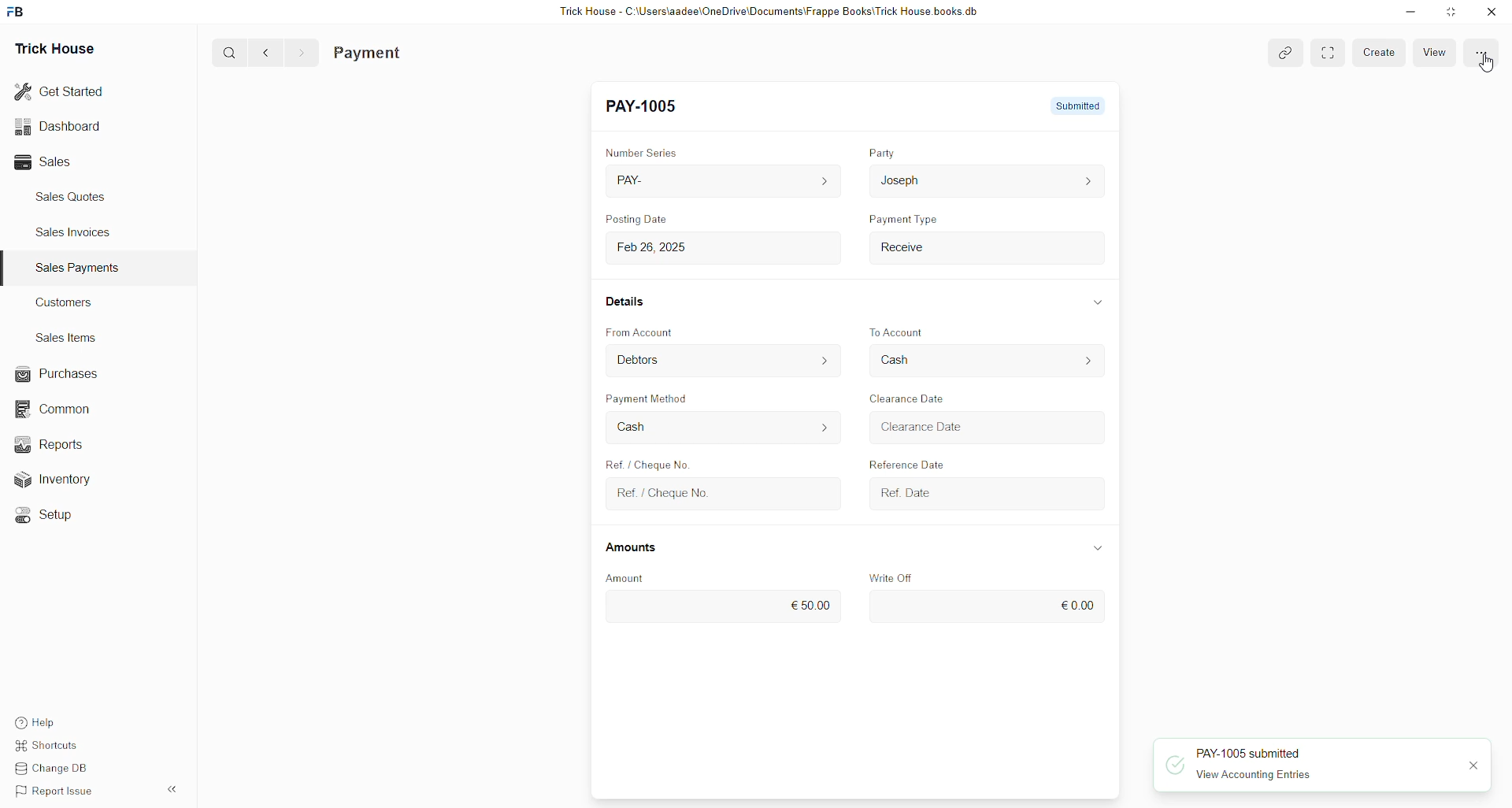  What do you see at coordinates (229, 52) in the screenshot?
I see `Search` at bounding box center [229, 52].